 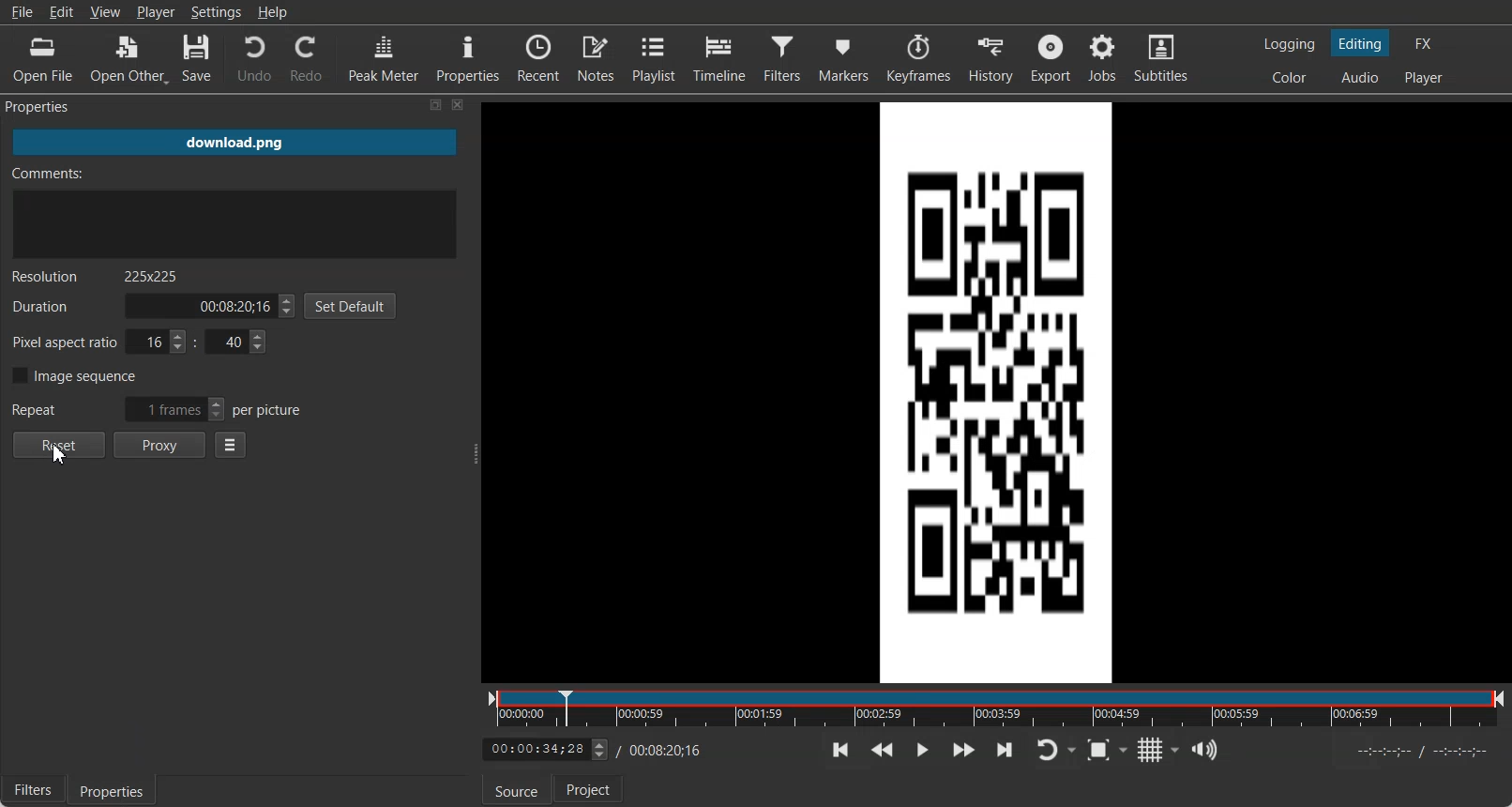 What do you see at coordinates (128, 58) in the screenshot?
I see `Open Other` at bounding box center [128, 58].